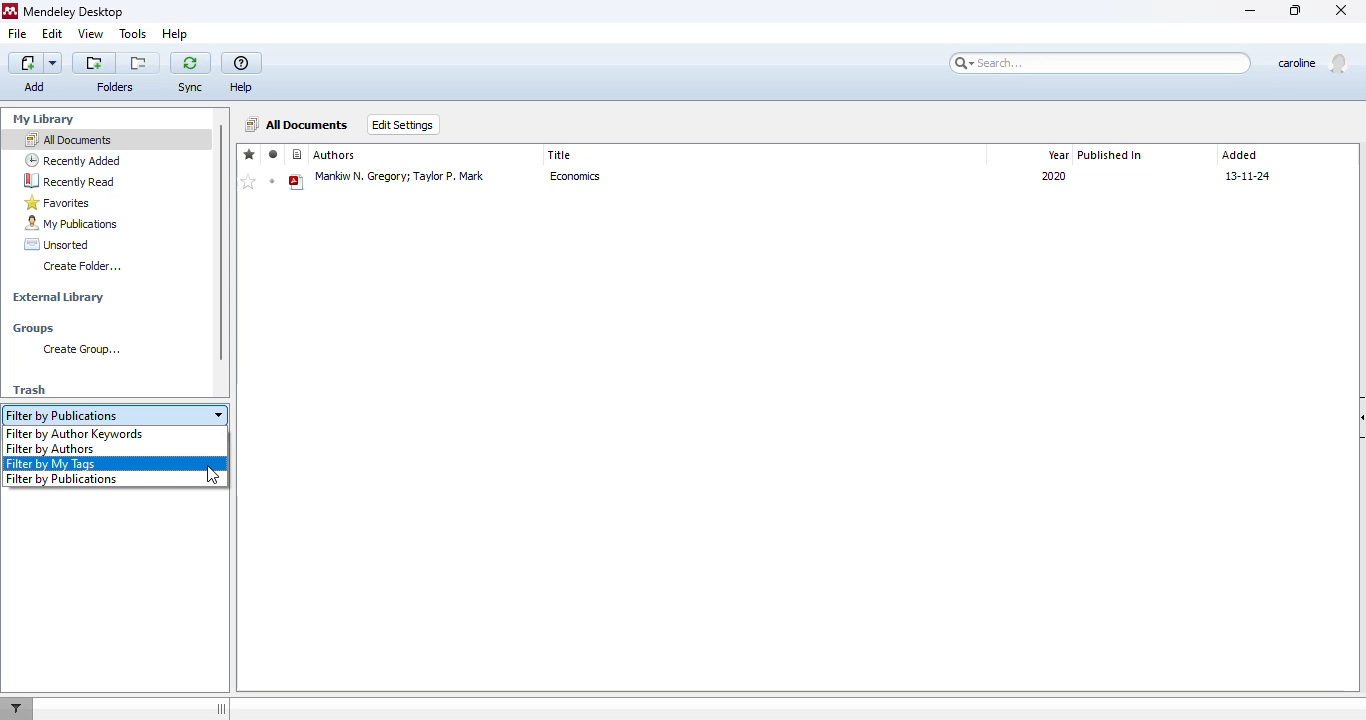  What do you see at coordinates (1111, 155) in the screenshot?
I see `published in` at bounding box center [1111, 155].